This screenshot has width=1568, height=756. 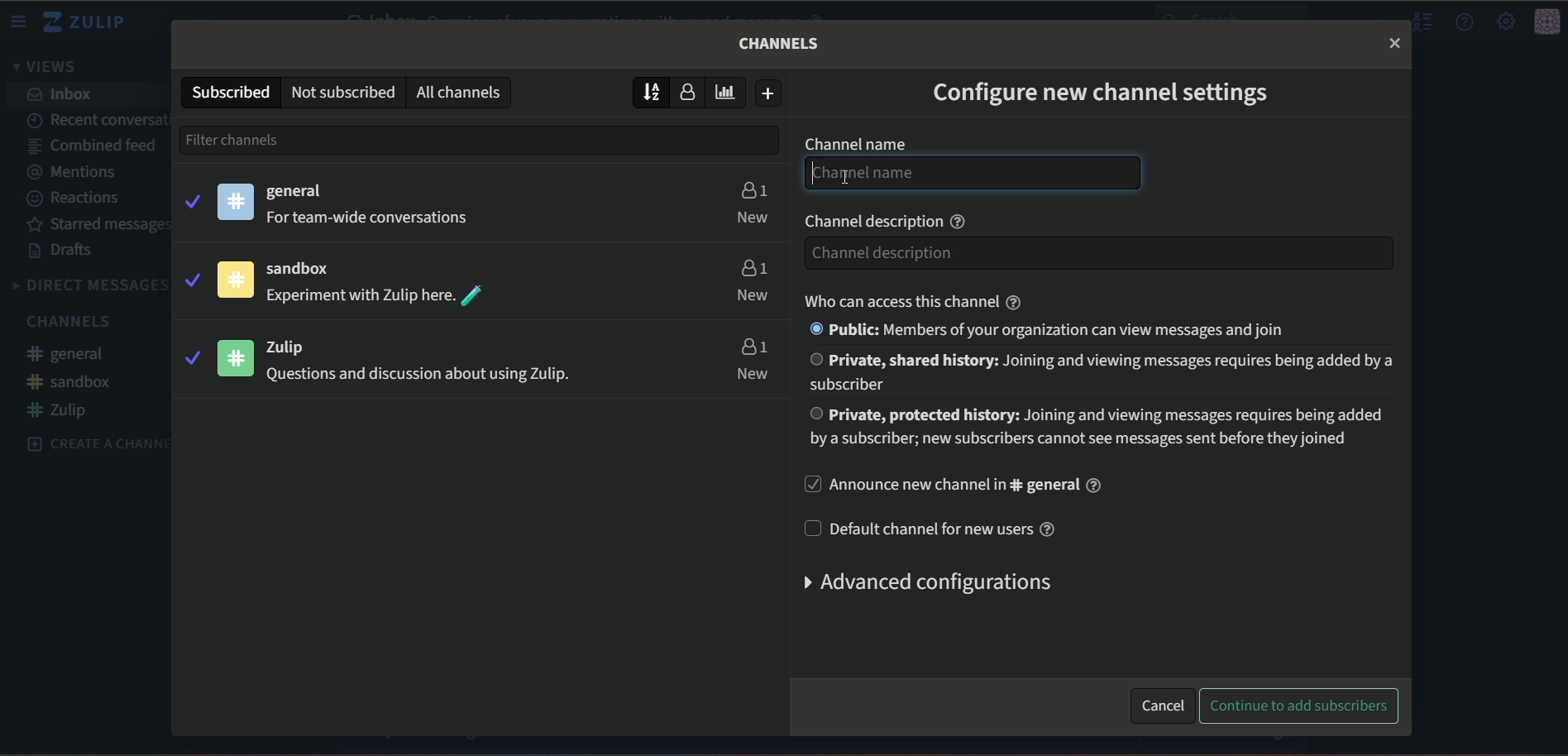 What do you see at coordinates (95, 117) in the screenshot?
I see `recent conversation` at bounding box center [95, 117].